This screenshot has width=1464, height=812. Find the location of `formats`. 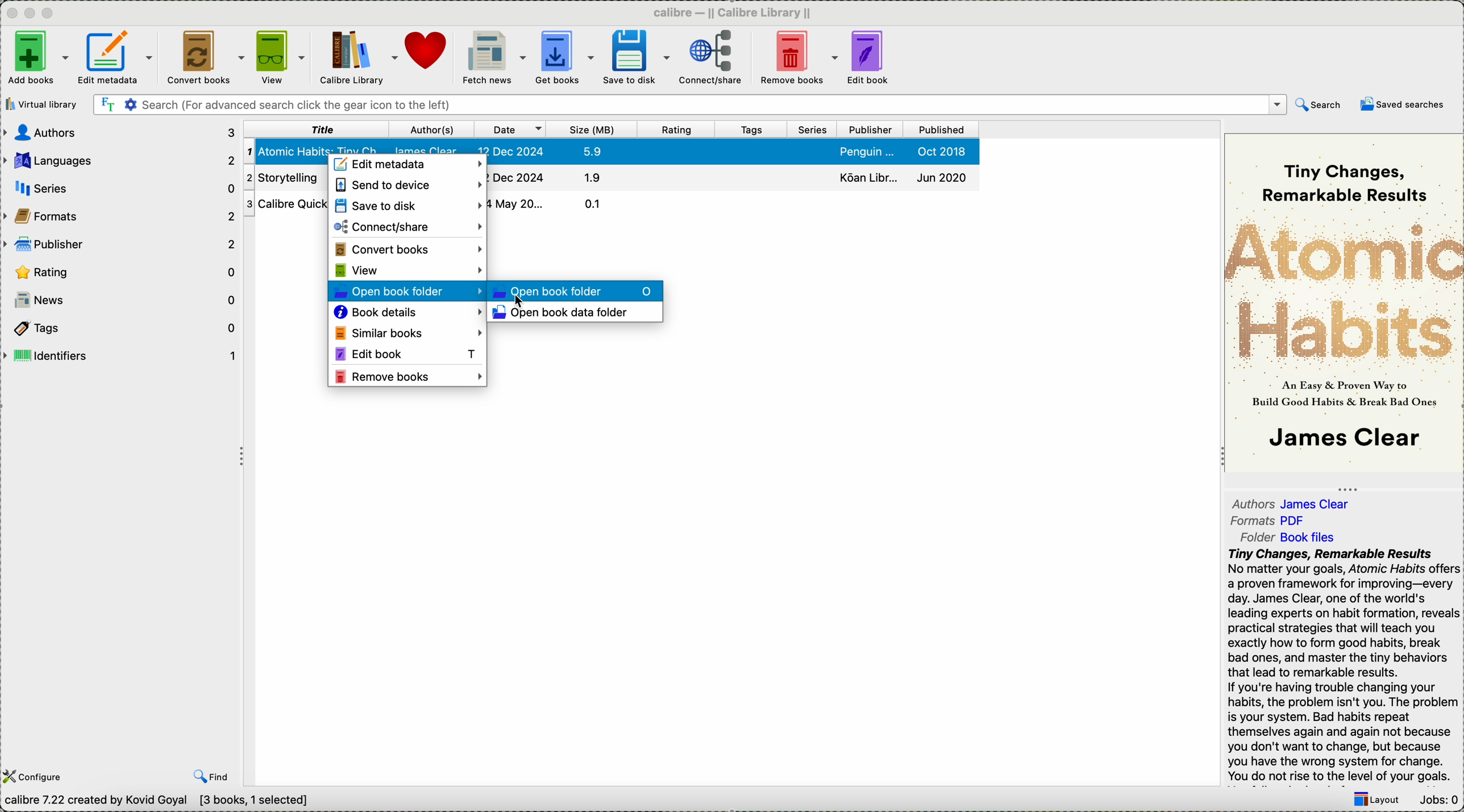

formats is located at coordinates (1271, 521).